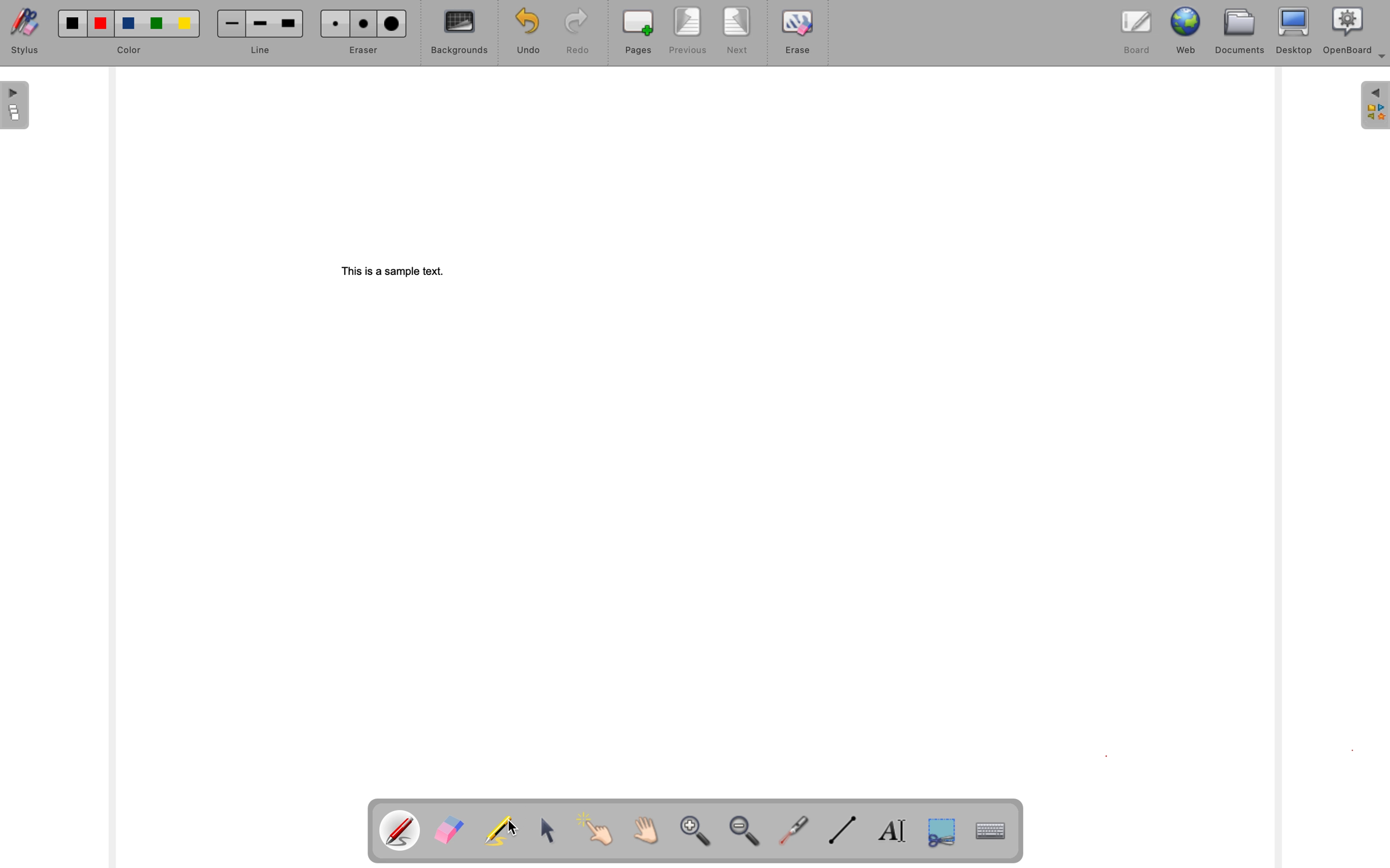 Image resolution: width=1390 pixels, height=868 pixels. What do you see at coordinates (232, 24) in the screenshot?
I see `Small line` at bounding box center [232, 24].